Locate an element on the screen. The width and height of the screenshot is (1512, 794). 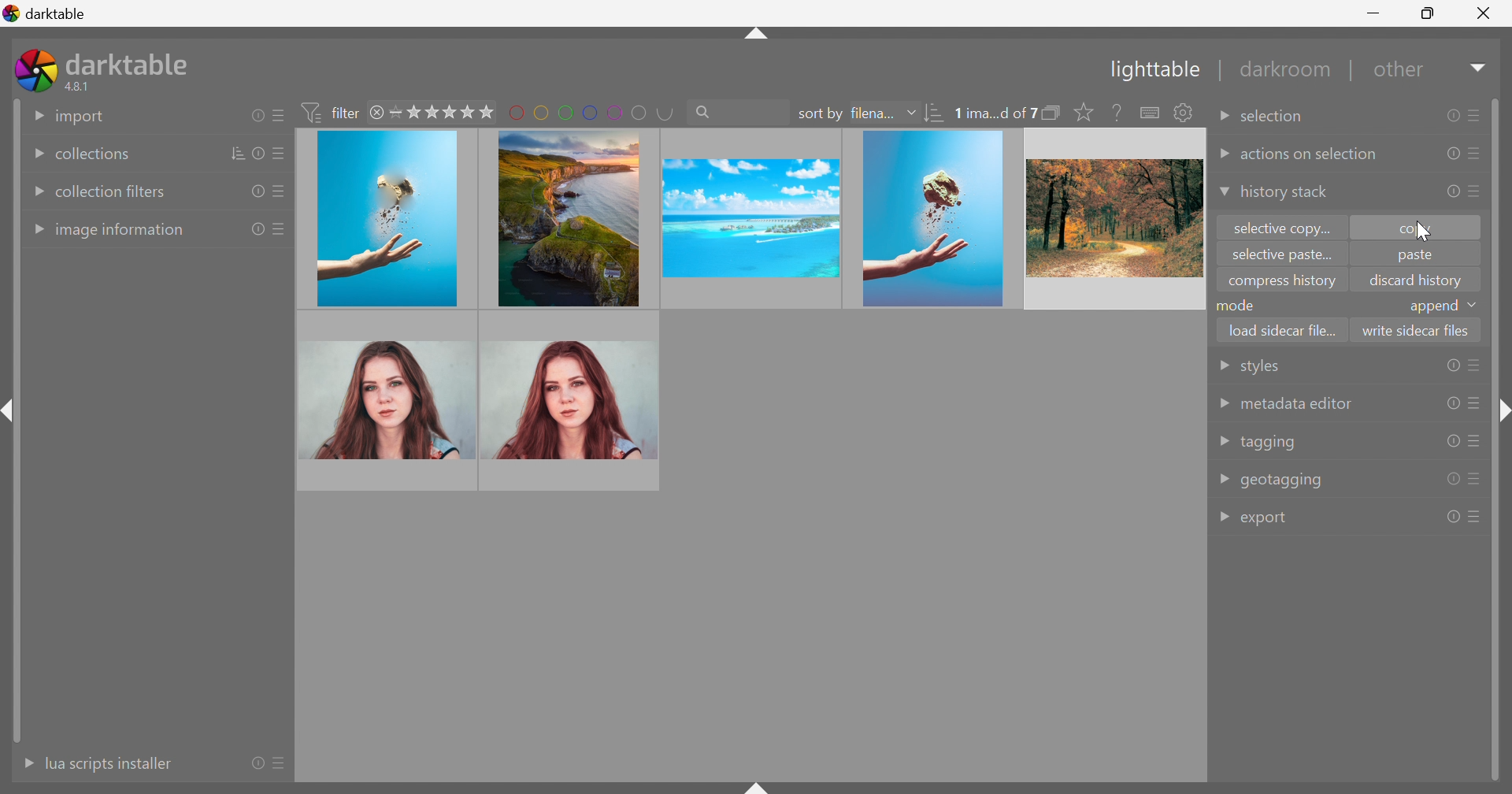
collapse grouped images is located at coordinates (1052, 113).